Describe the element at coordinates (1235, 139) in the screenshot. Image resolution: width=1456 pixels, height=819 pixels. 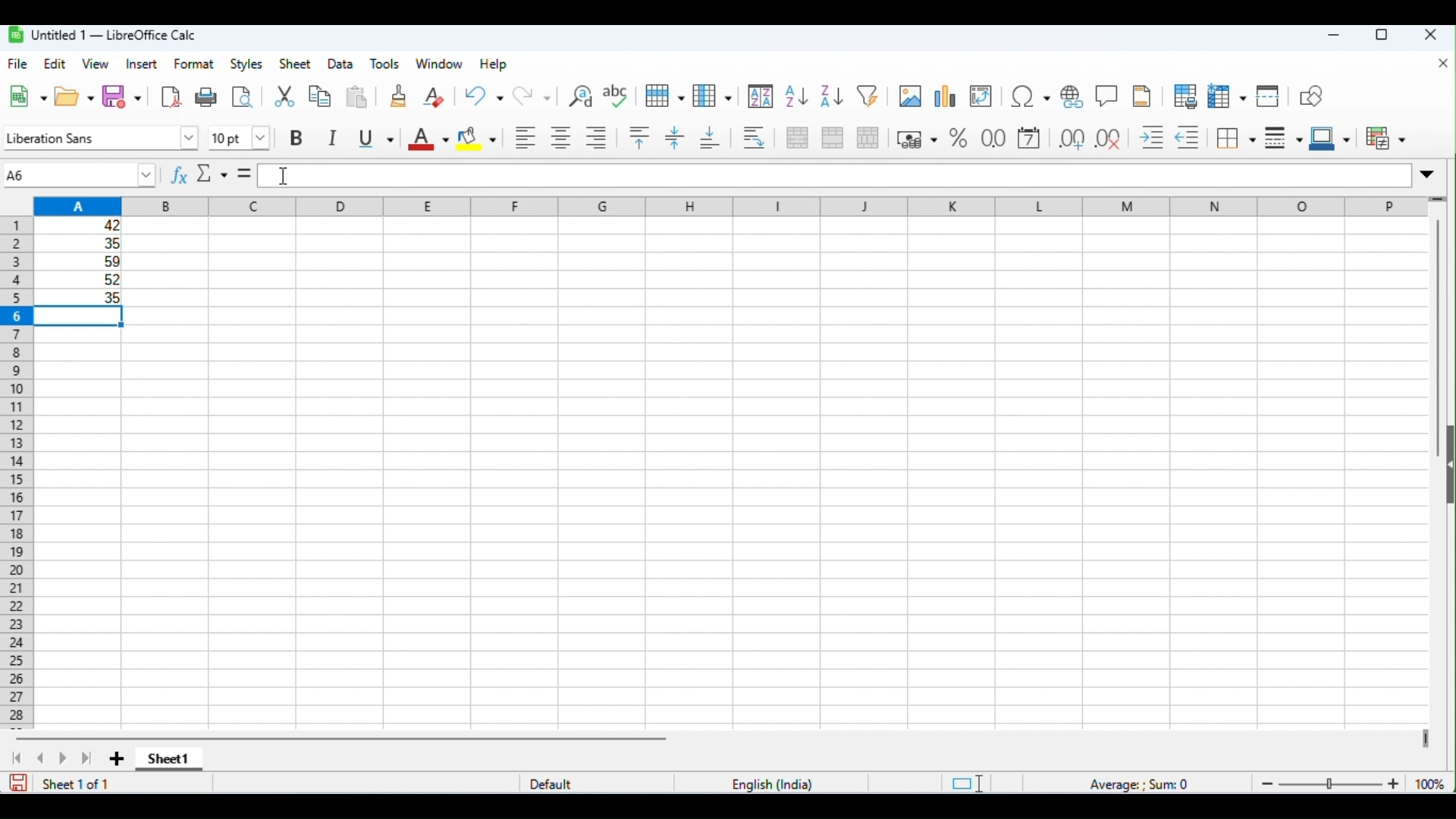
I see `border` at that location.